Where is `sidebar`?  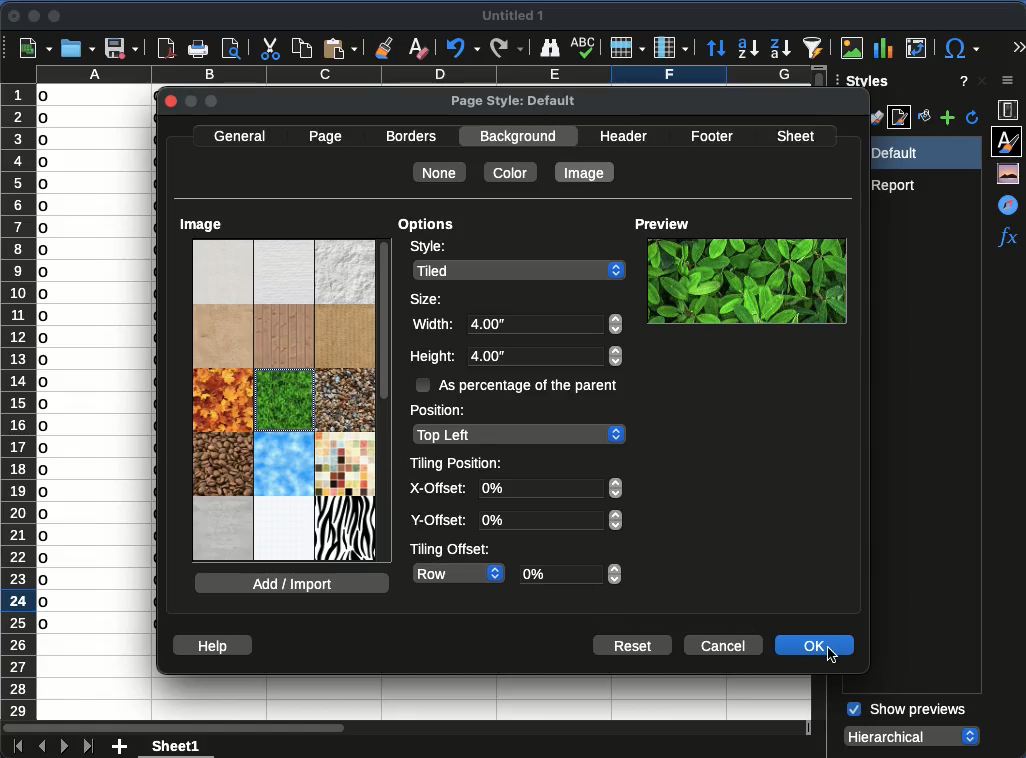 sidebar is located at coordinates (1009, 82).